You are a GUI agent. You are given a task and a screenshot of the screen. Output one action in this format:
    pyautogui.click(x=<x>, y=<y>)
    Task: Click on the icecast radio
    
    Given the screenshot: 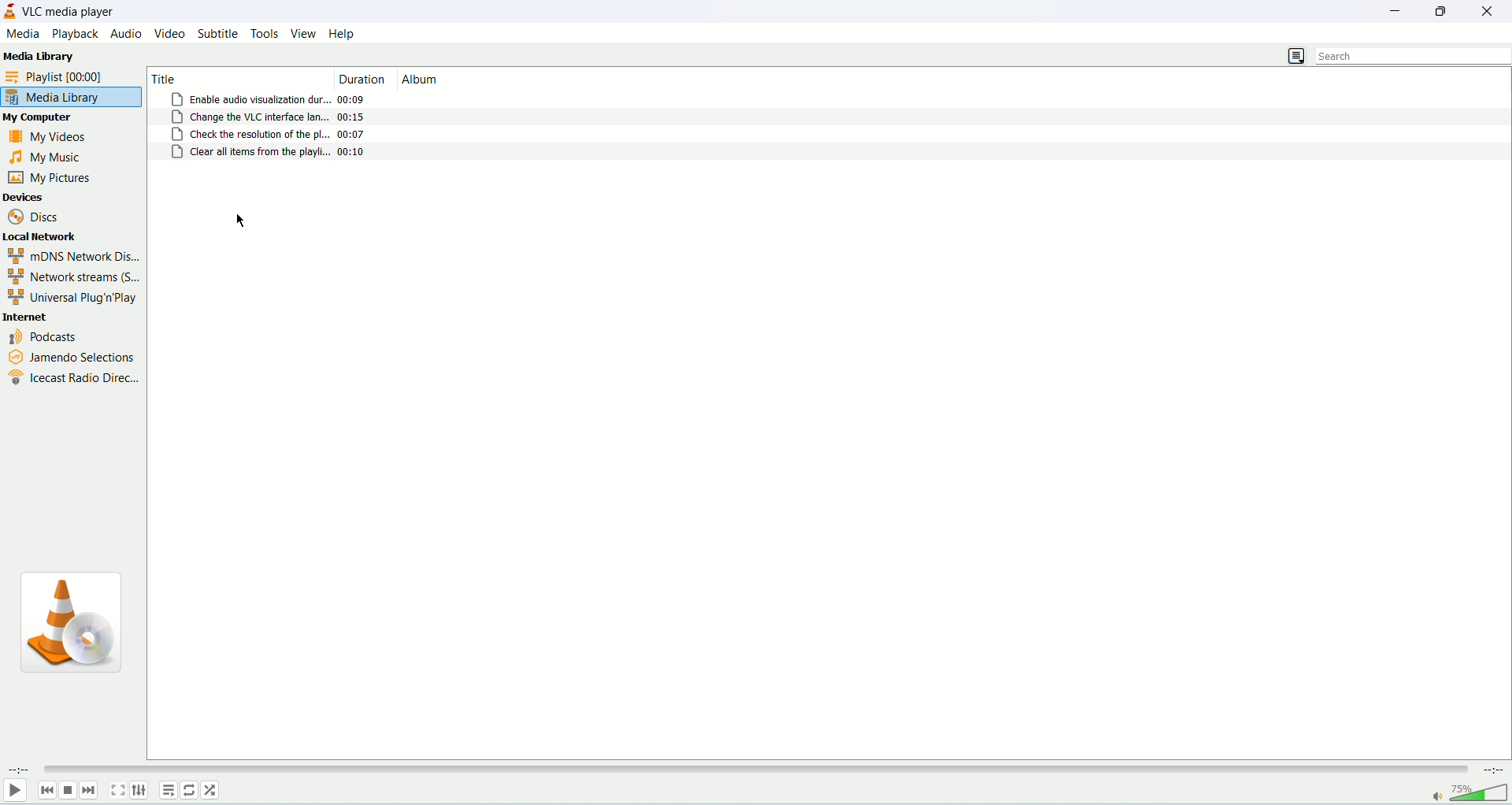 What is the action you would take?
    pyautogui.click(x=72, y=381)
    